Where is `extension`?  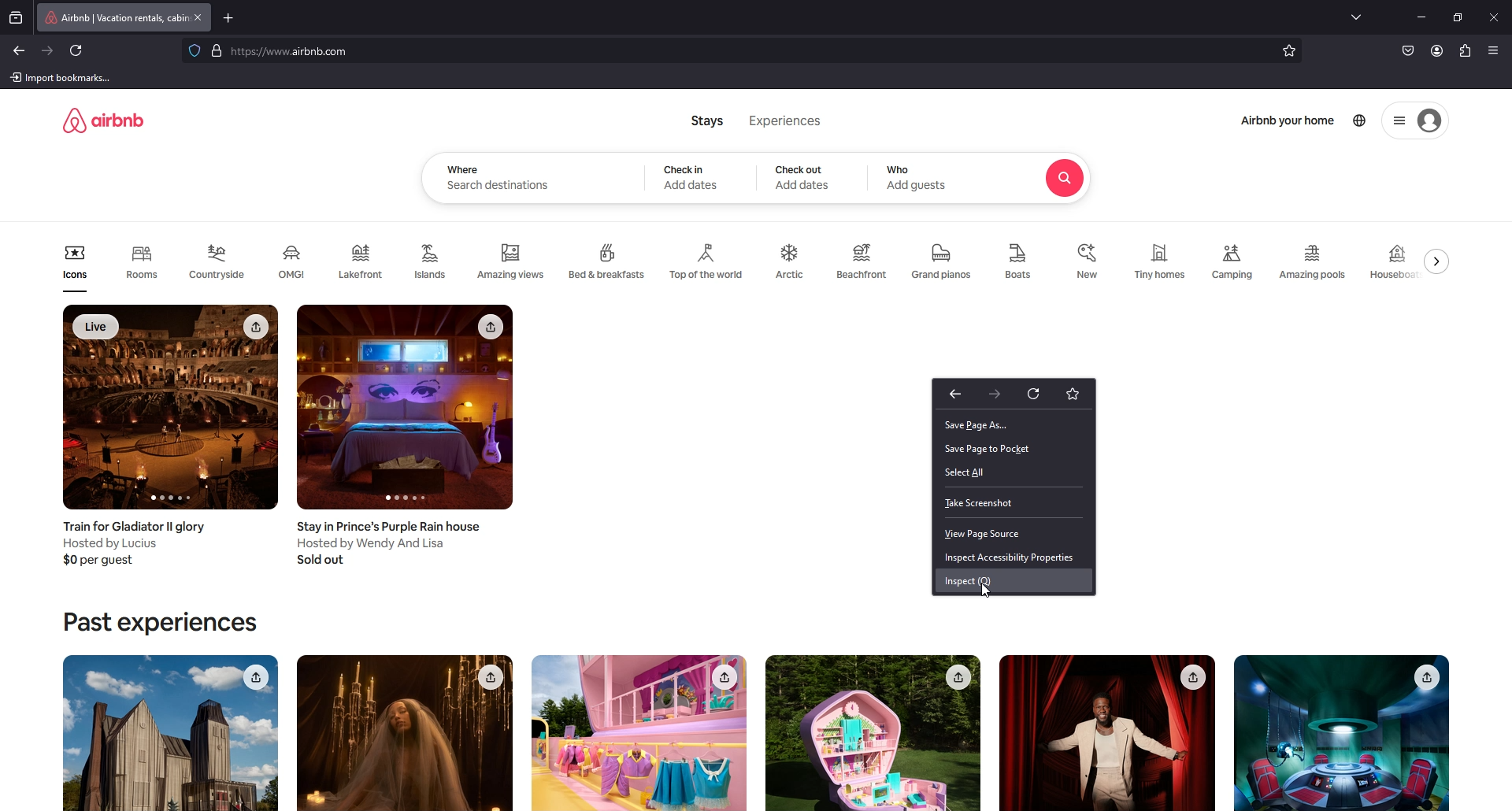
extension is located at coordinates (1465, 52).